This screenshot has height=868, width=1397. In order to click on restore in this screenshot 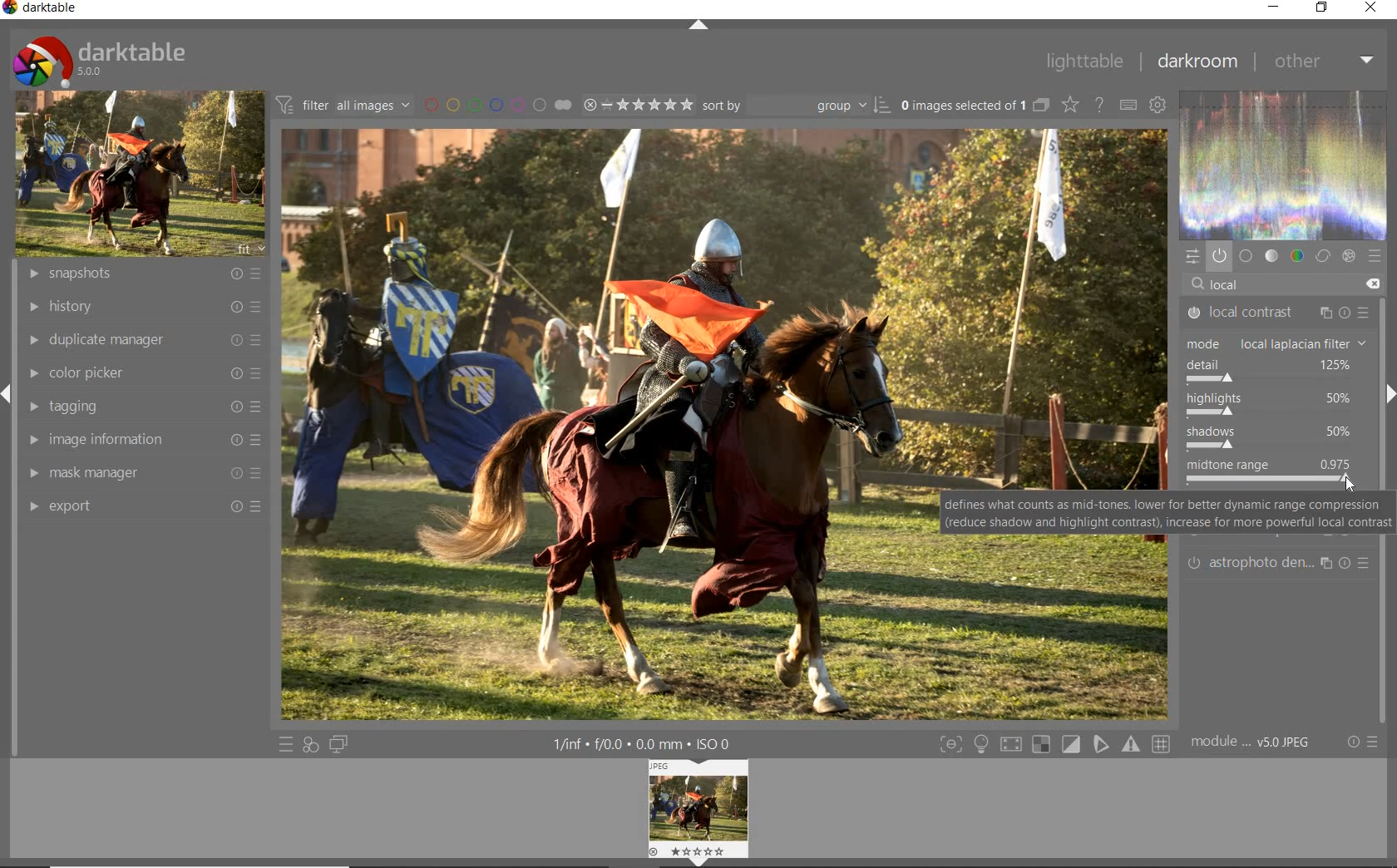, I will do `click(1323, 10)`.